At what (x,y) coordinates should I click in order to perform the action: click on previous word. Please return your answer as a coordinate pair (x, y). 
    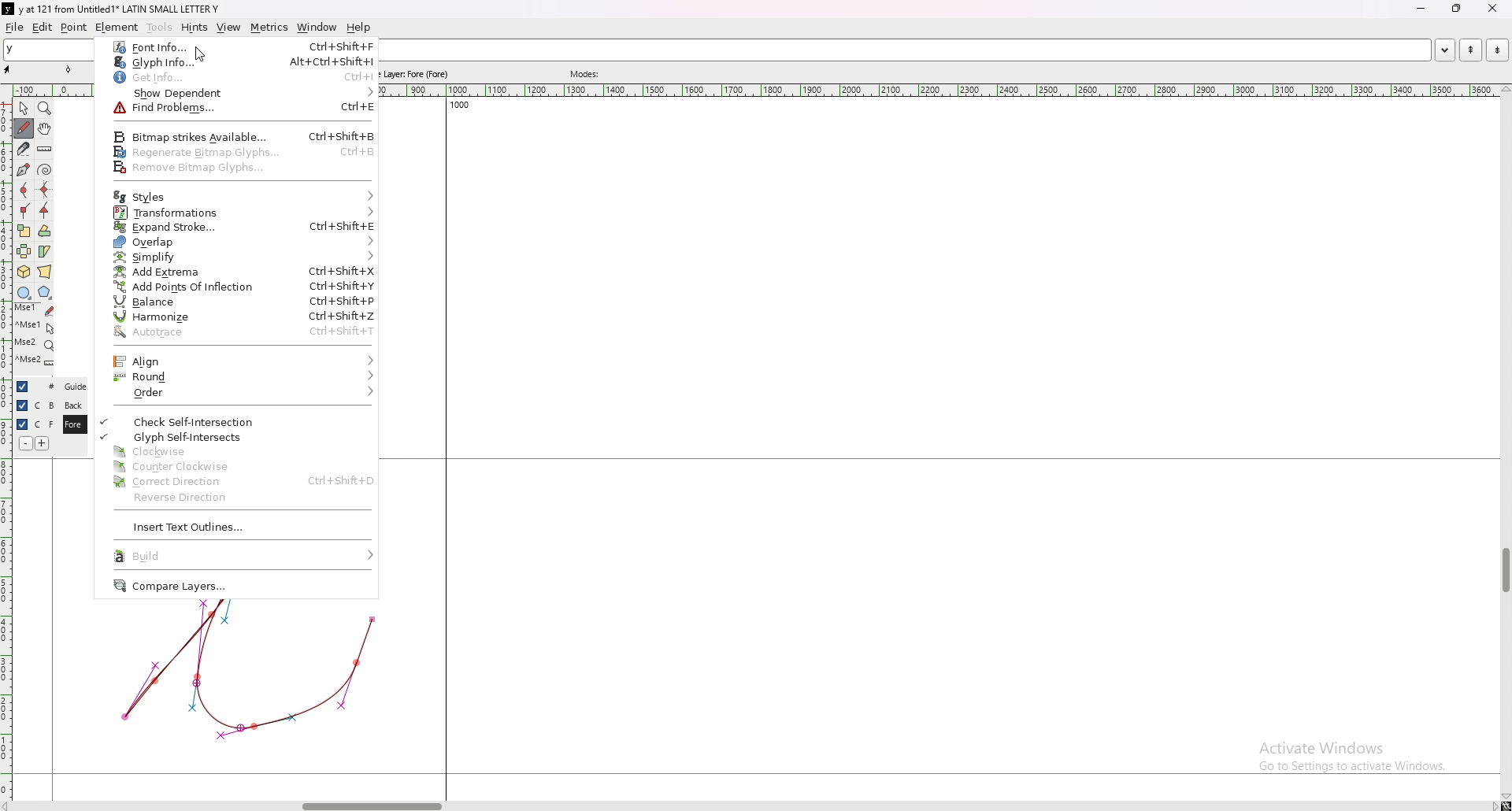
    Looking at the image, I should click on (1469, 50).